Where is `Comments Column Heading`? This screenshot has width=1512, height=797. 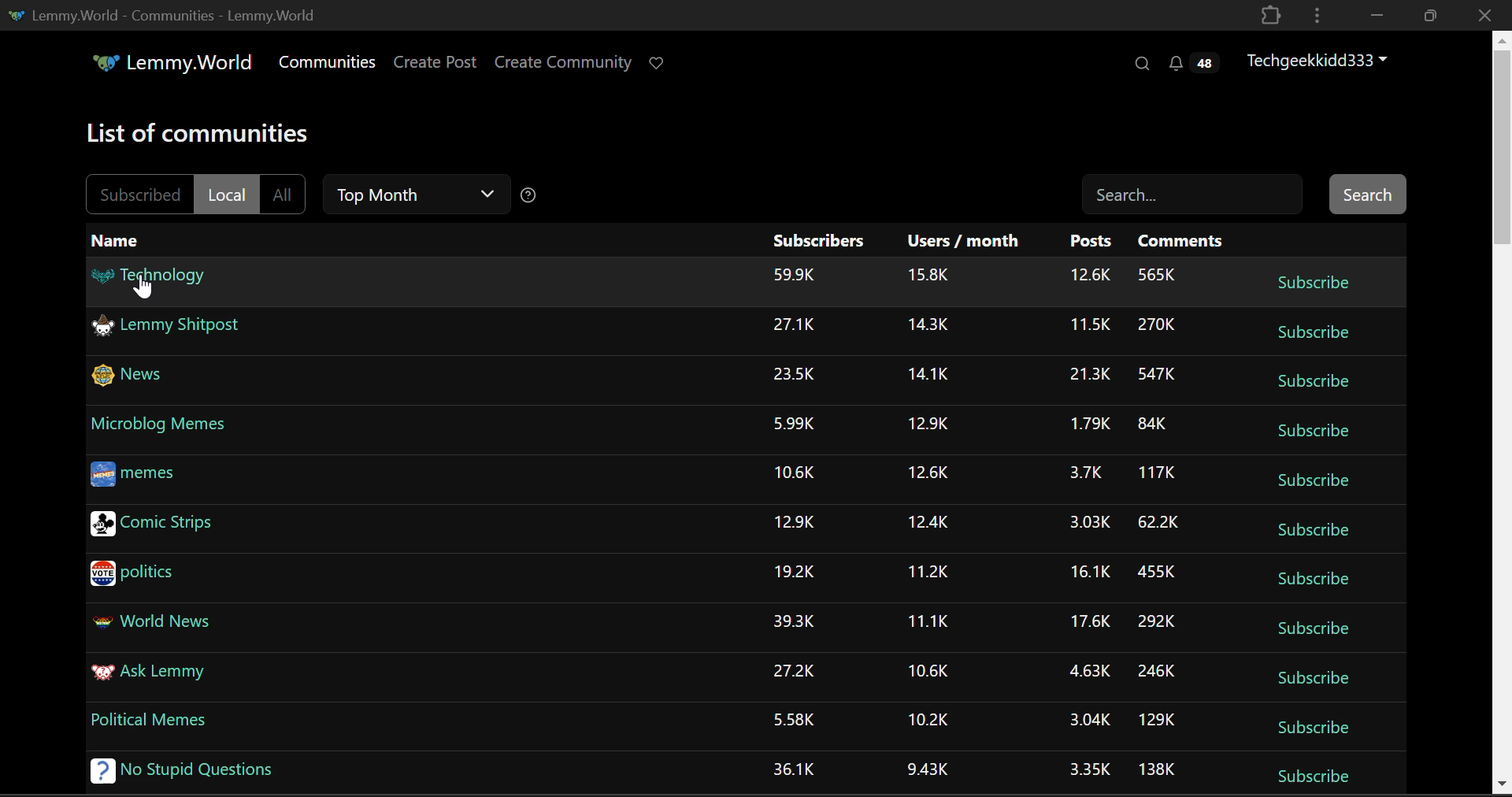 Comments Column Heading is located at coordinates (1180, 240).